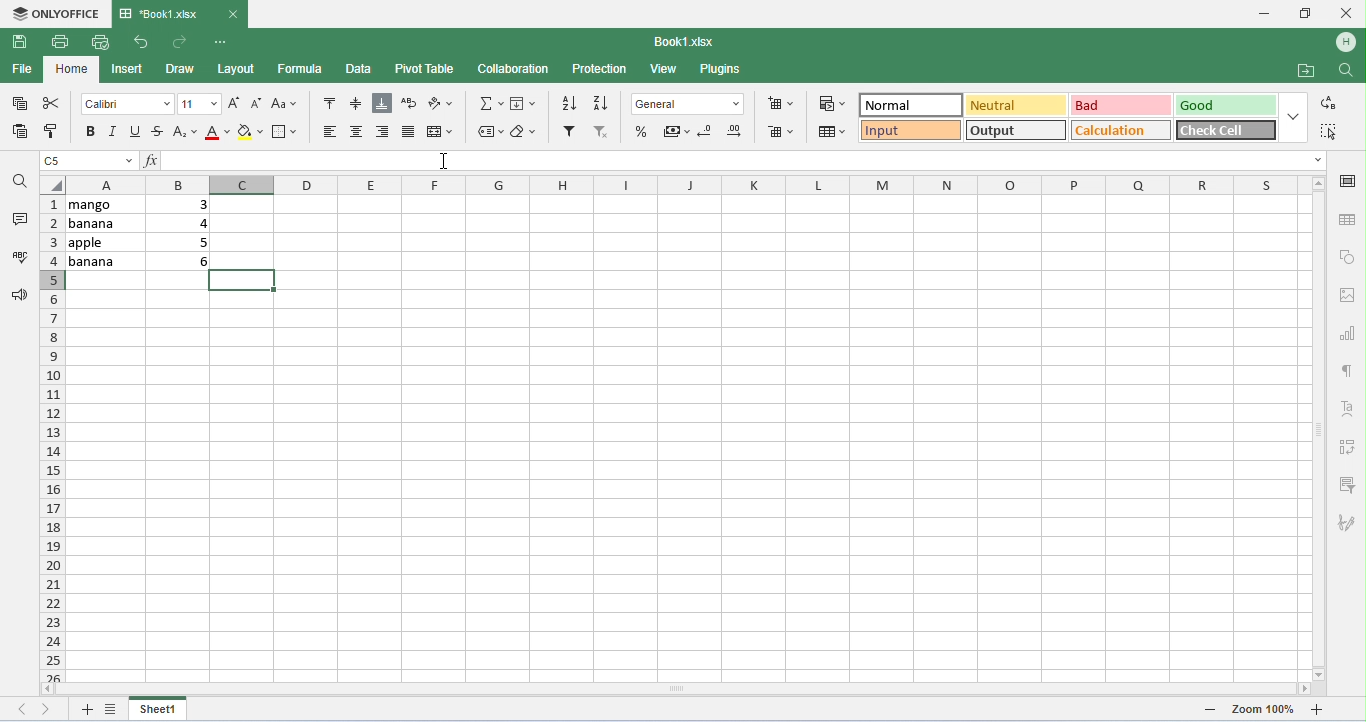  I want to click on 3, so click(193, 204).